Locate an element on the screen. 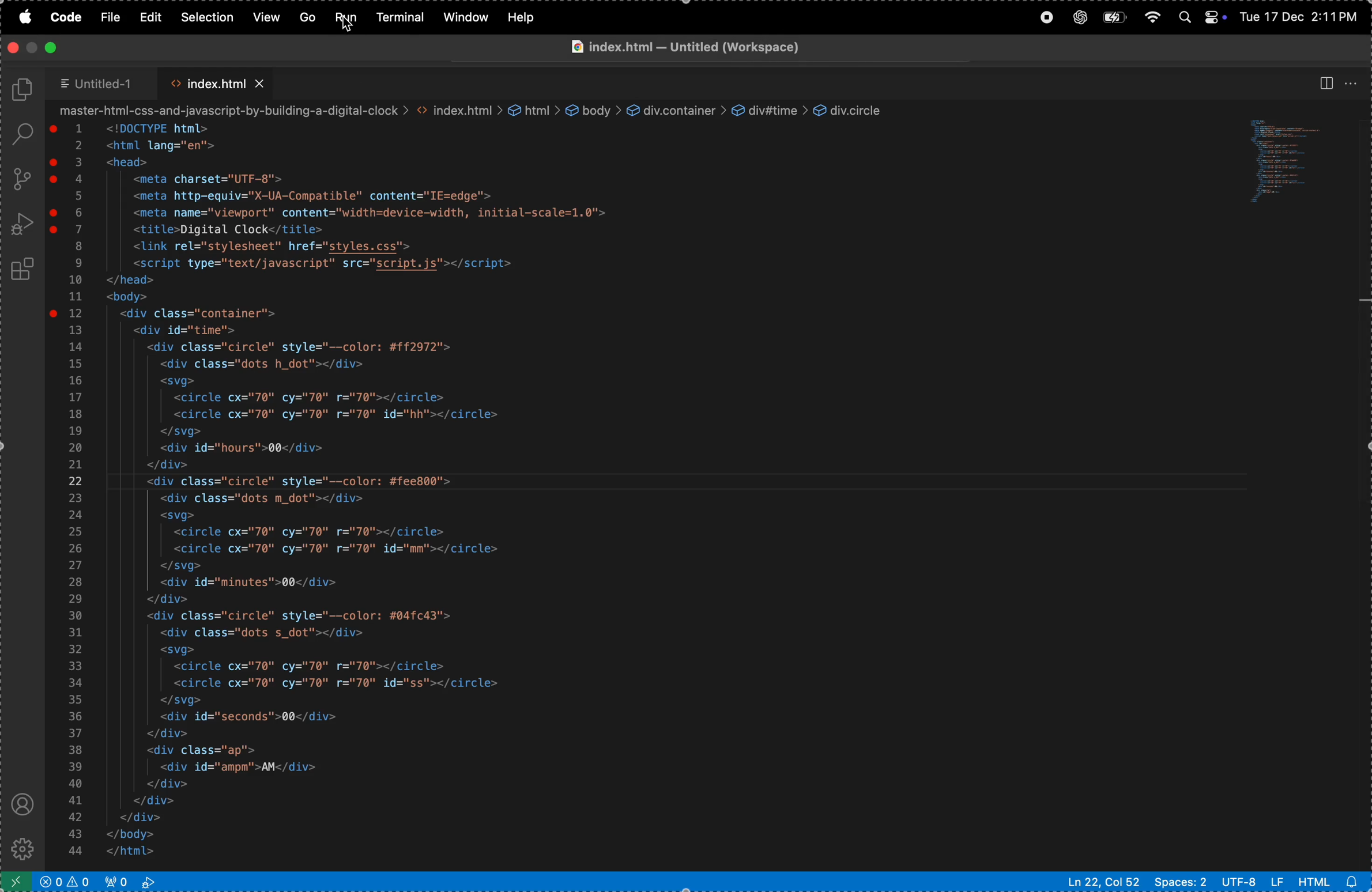  code window  is located at coordinates (1295, 160).